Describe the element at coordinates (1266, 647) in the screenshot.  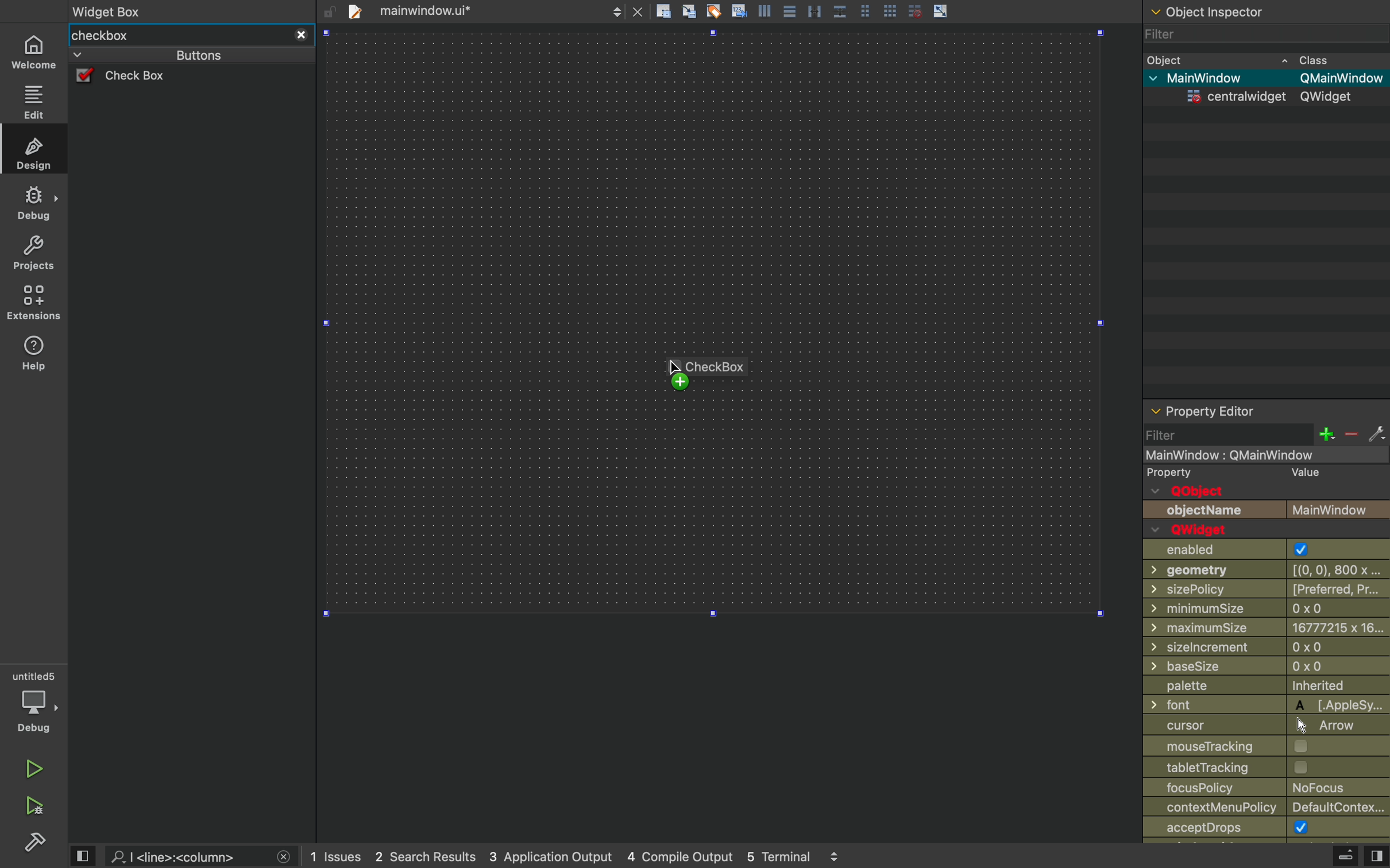
I see `size increment` at that location.